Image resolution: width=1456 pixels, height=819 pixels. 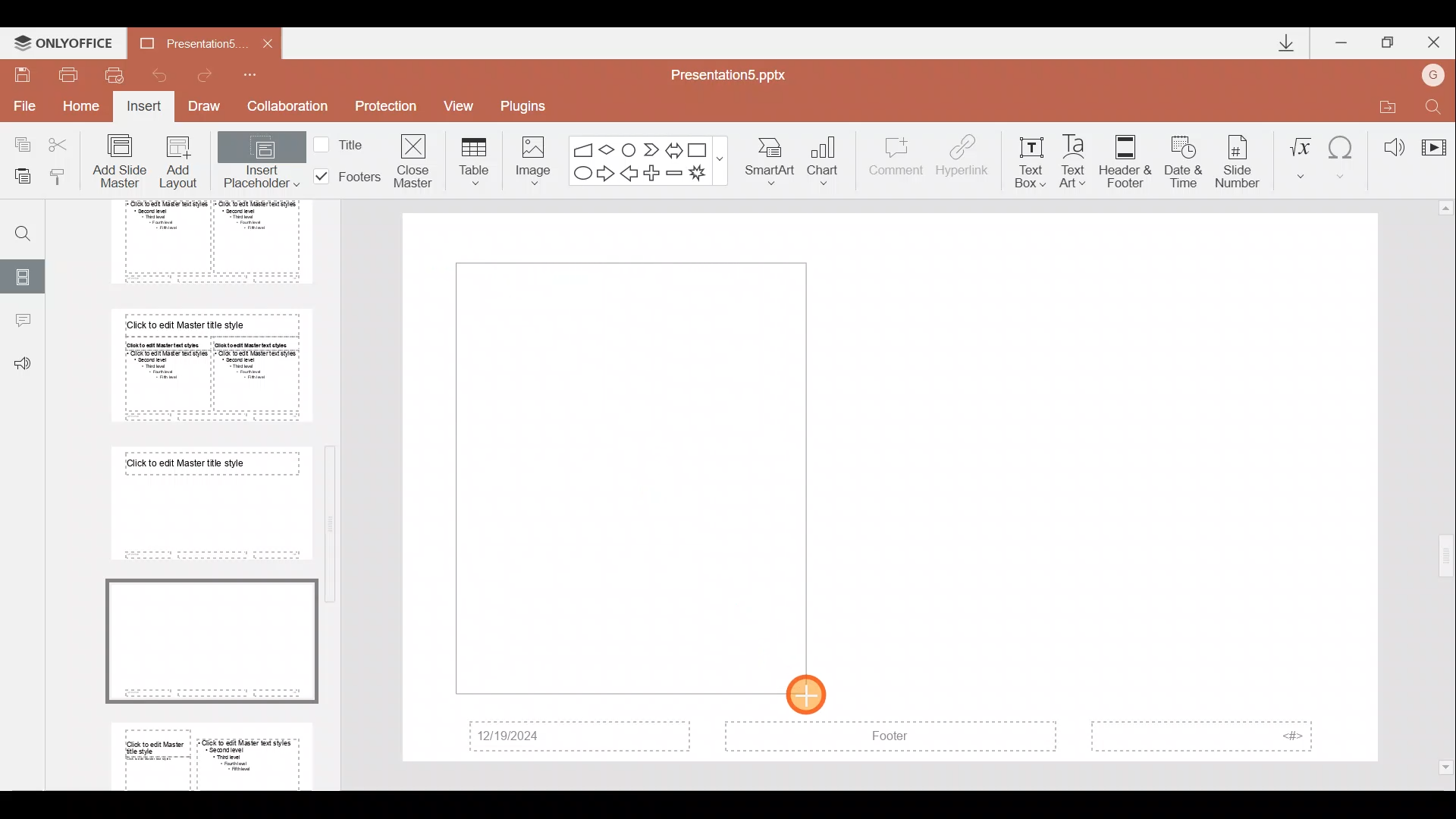 I want to click on Scroll bar, so click(x=1446, y=488).